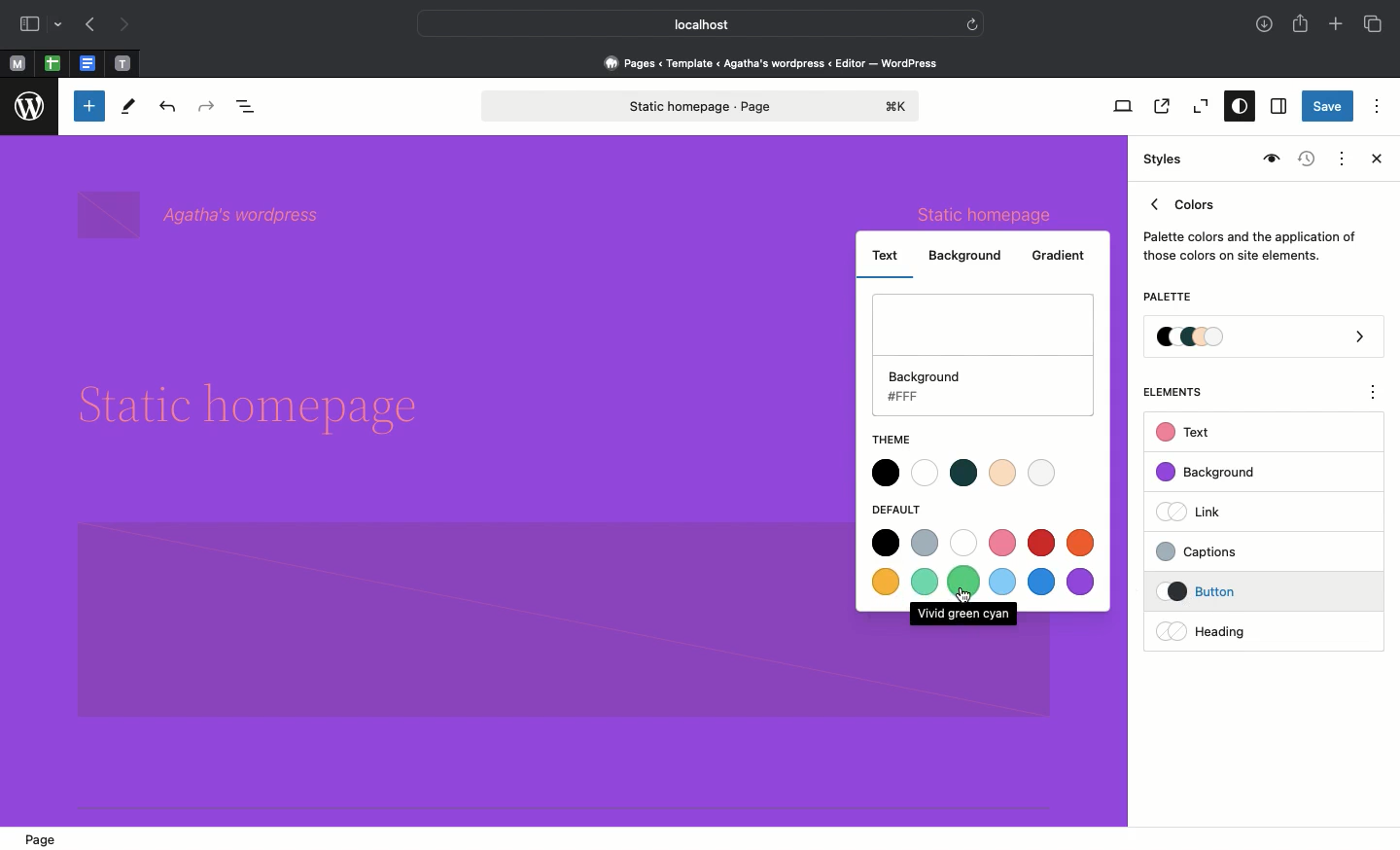 The image size is (1400, 850). What do you see at coordinates (1235, 592) in the screenshot?
I see `Clicking on button` at bounding box center [1235, 592].